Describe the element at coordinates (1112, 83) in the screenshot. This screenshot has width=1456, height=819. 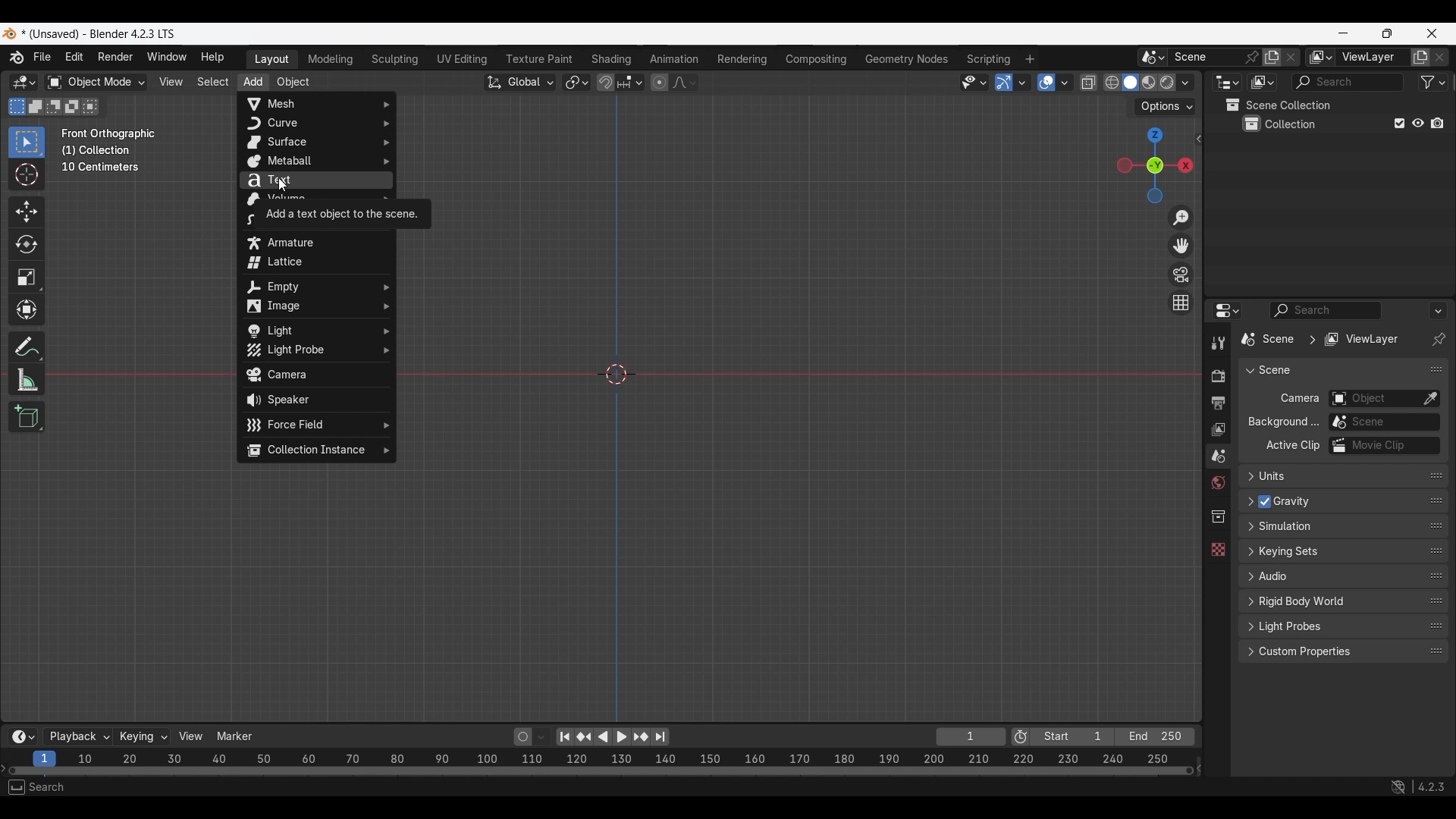
I see `Viewport shading, wireframe` at that location.